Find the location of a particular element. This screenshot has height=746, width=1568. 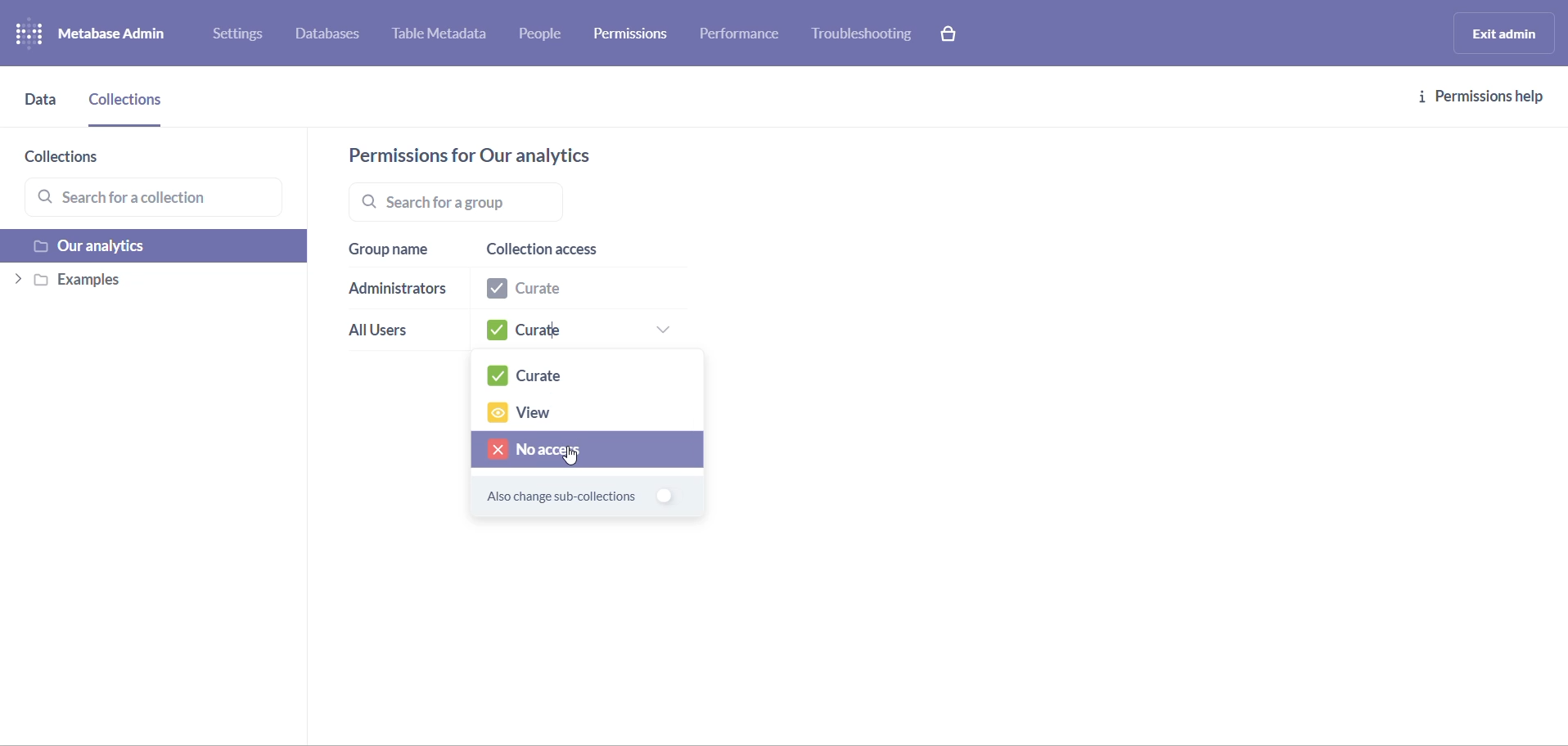

permission help is located at coordinates (1482, 97).